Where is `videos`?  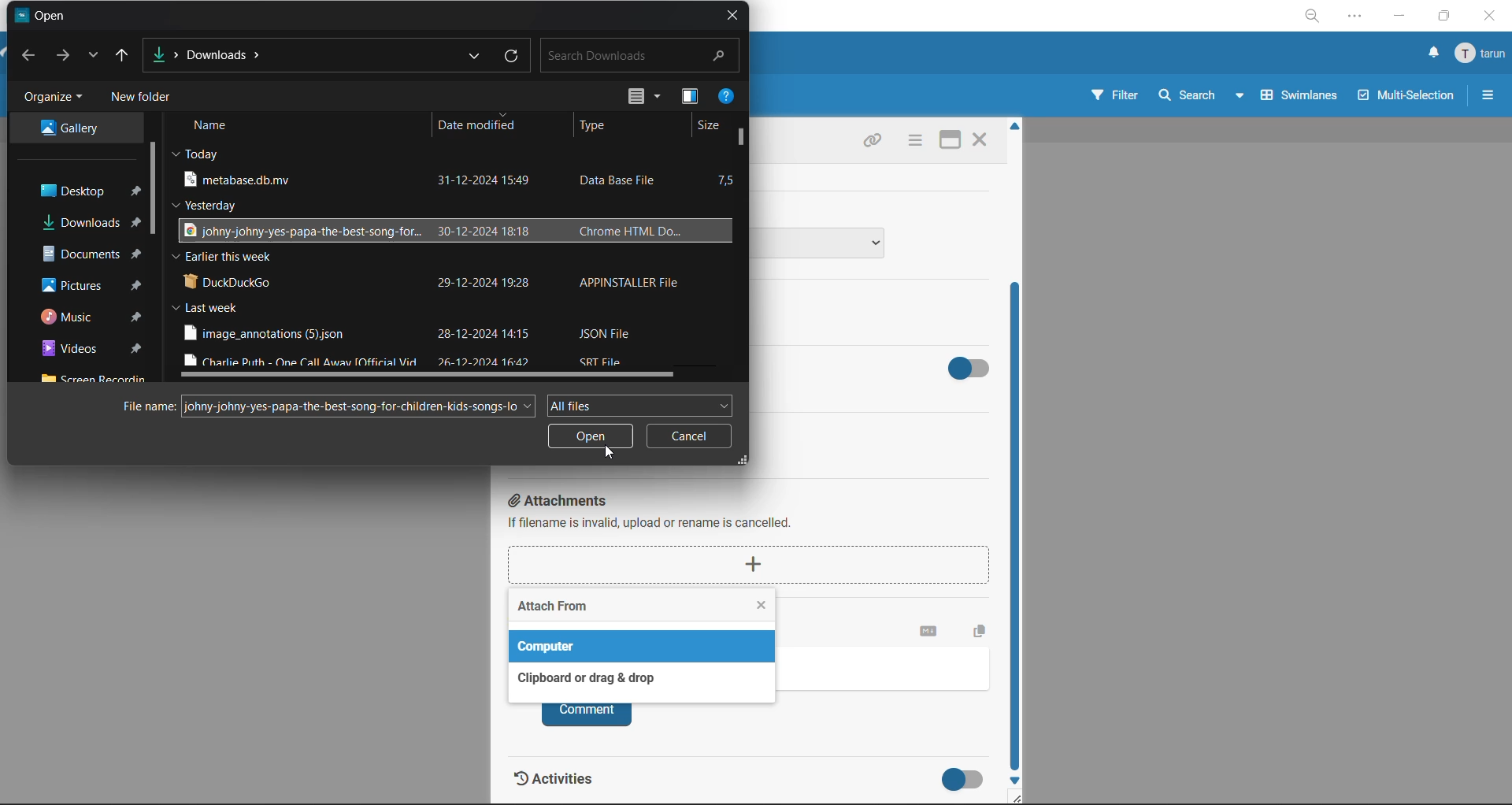
videos is located at coordinates (72, 351).